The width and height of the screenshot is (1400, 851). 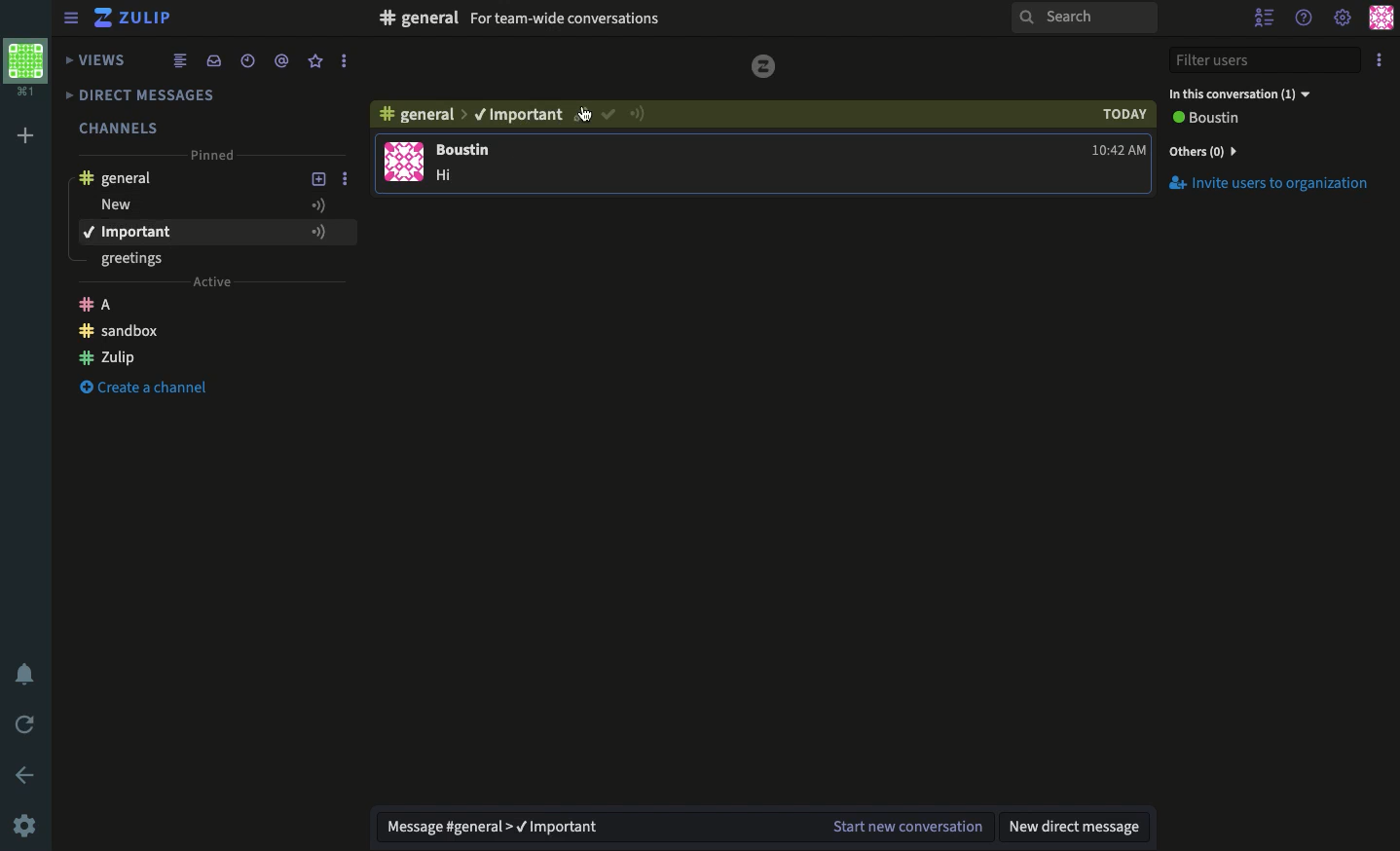 I want to click on Invite Users to Organization, so click(x=1271, y=185).